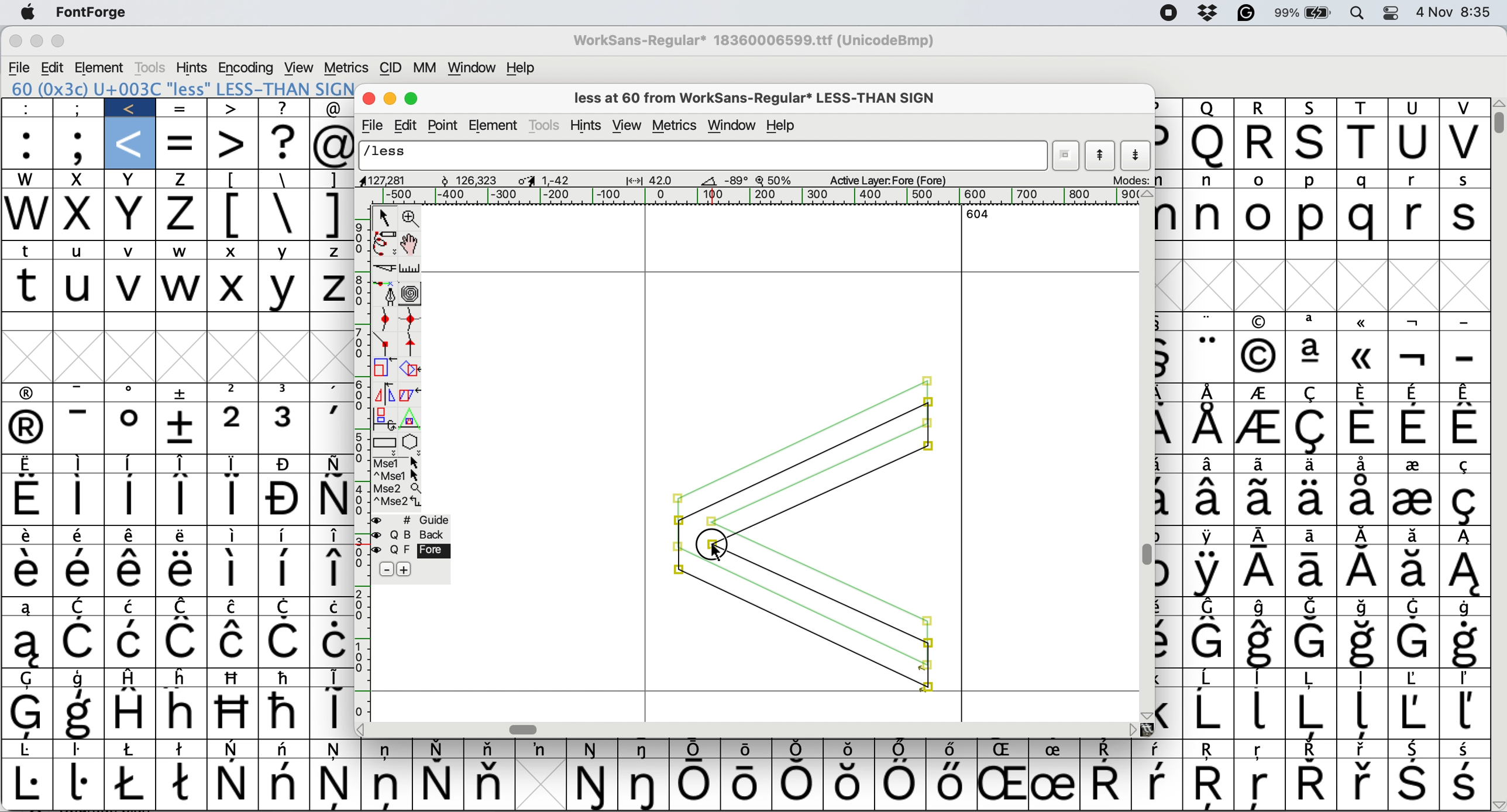 The height and width of the screenshot is (812, 1507). I want to click on t, so click(32, 252).